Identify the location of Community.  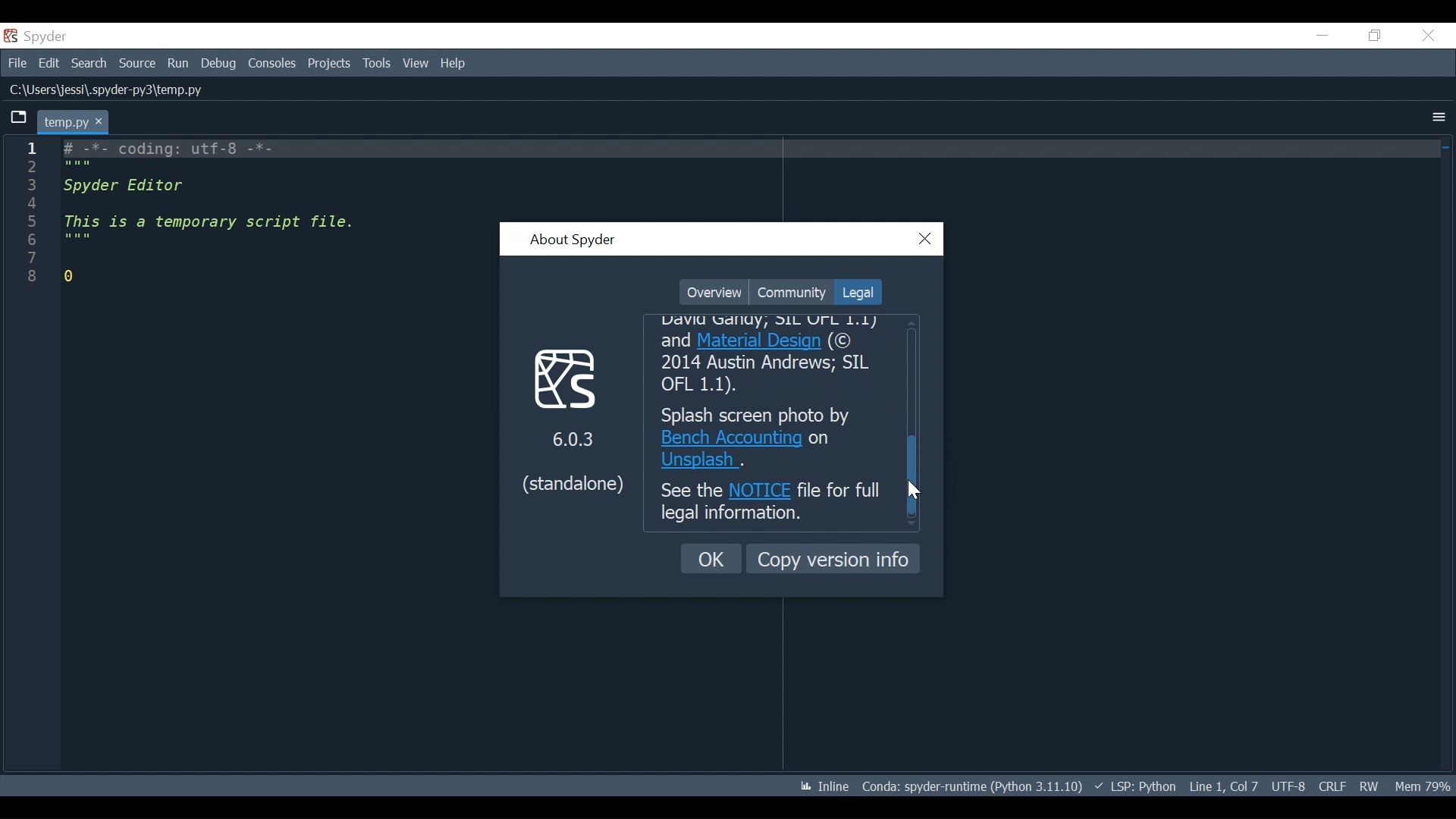
(791, 292).